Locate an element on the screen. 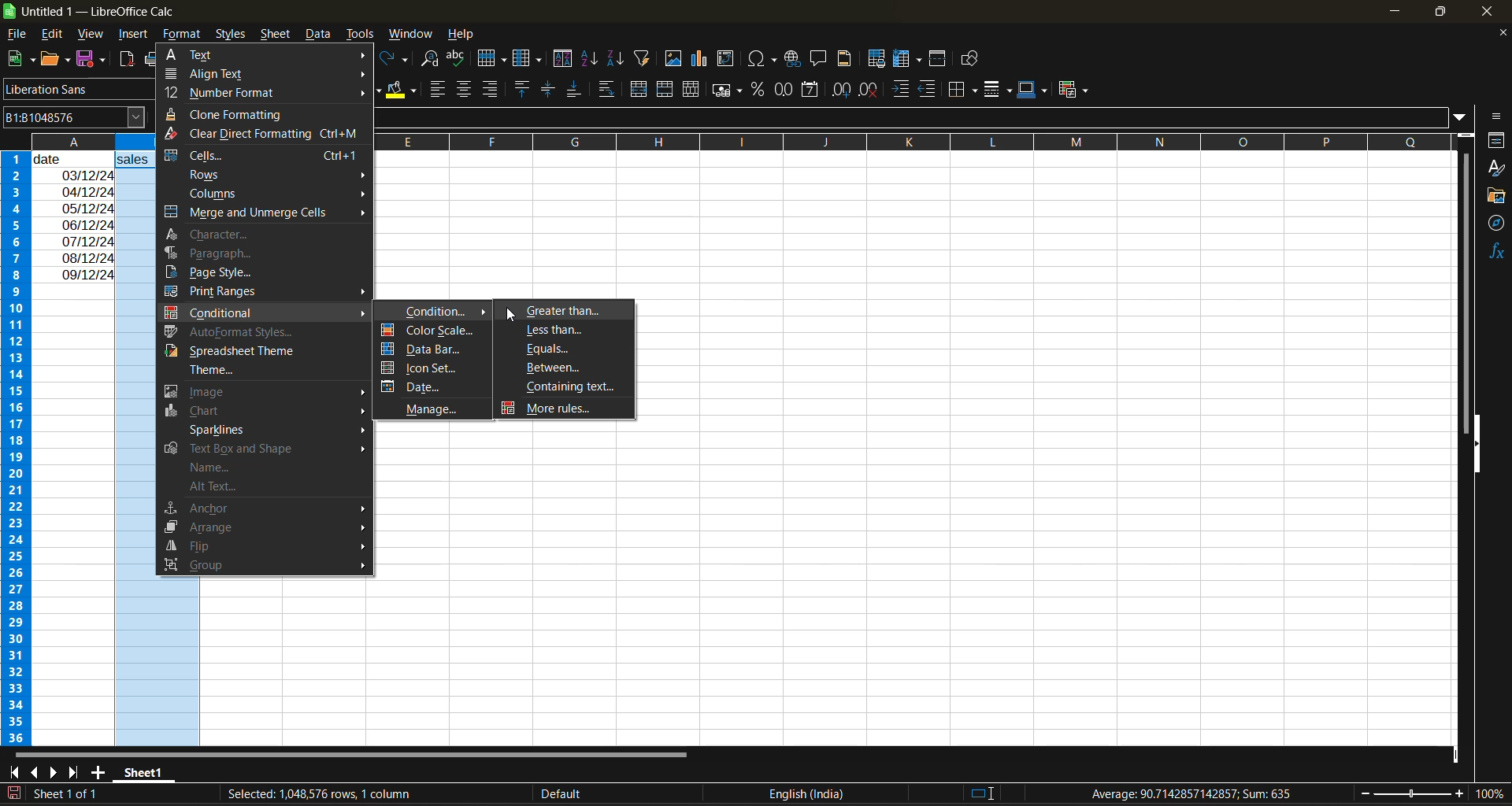  spelling is located at coordinates (458, 58).